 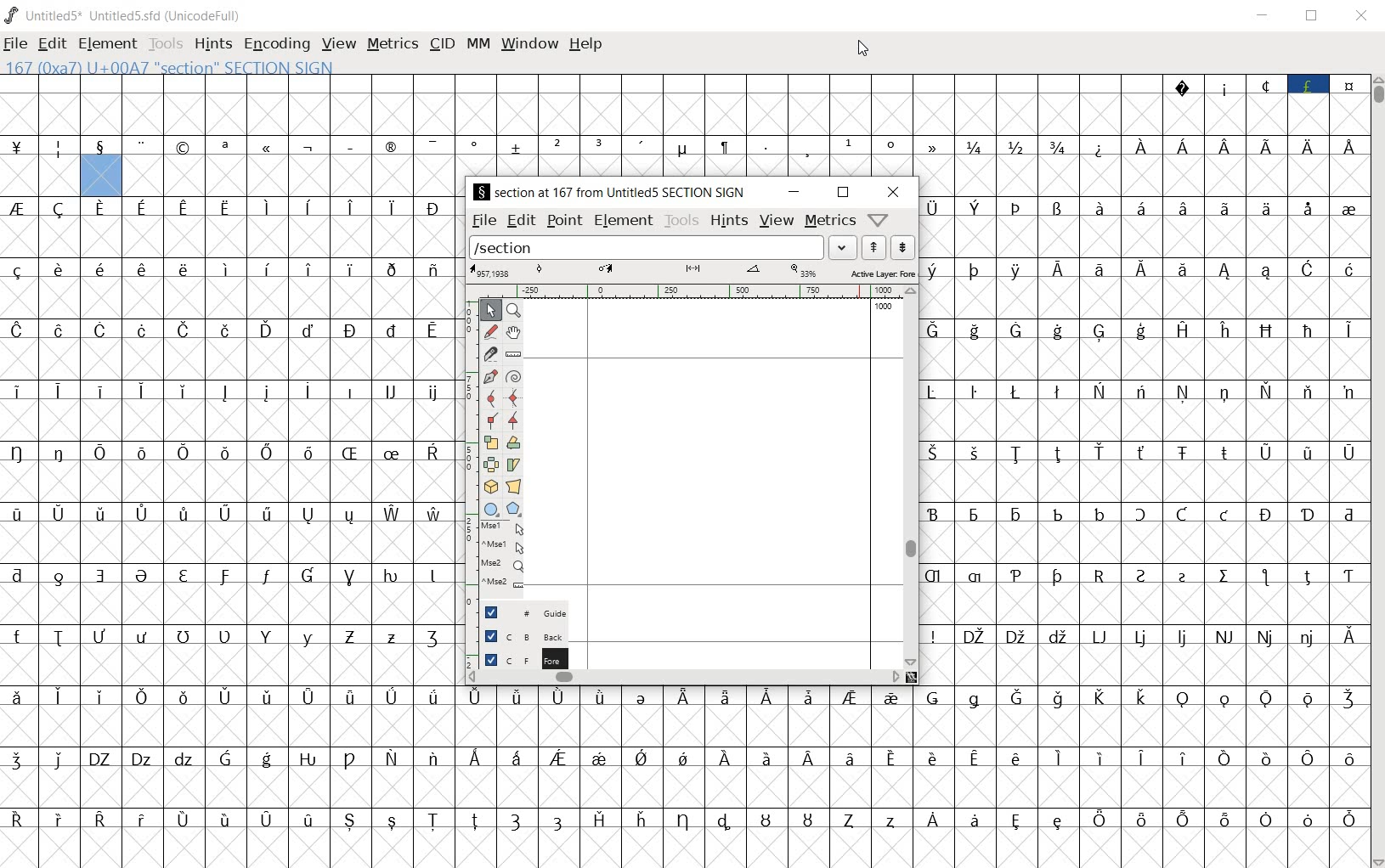 What do you see at coordinates (229, 514) in the screenshot?
I see `special letters` at bounding box center [229, 514].